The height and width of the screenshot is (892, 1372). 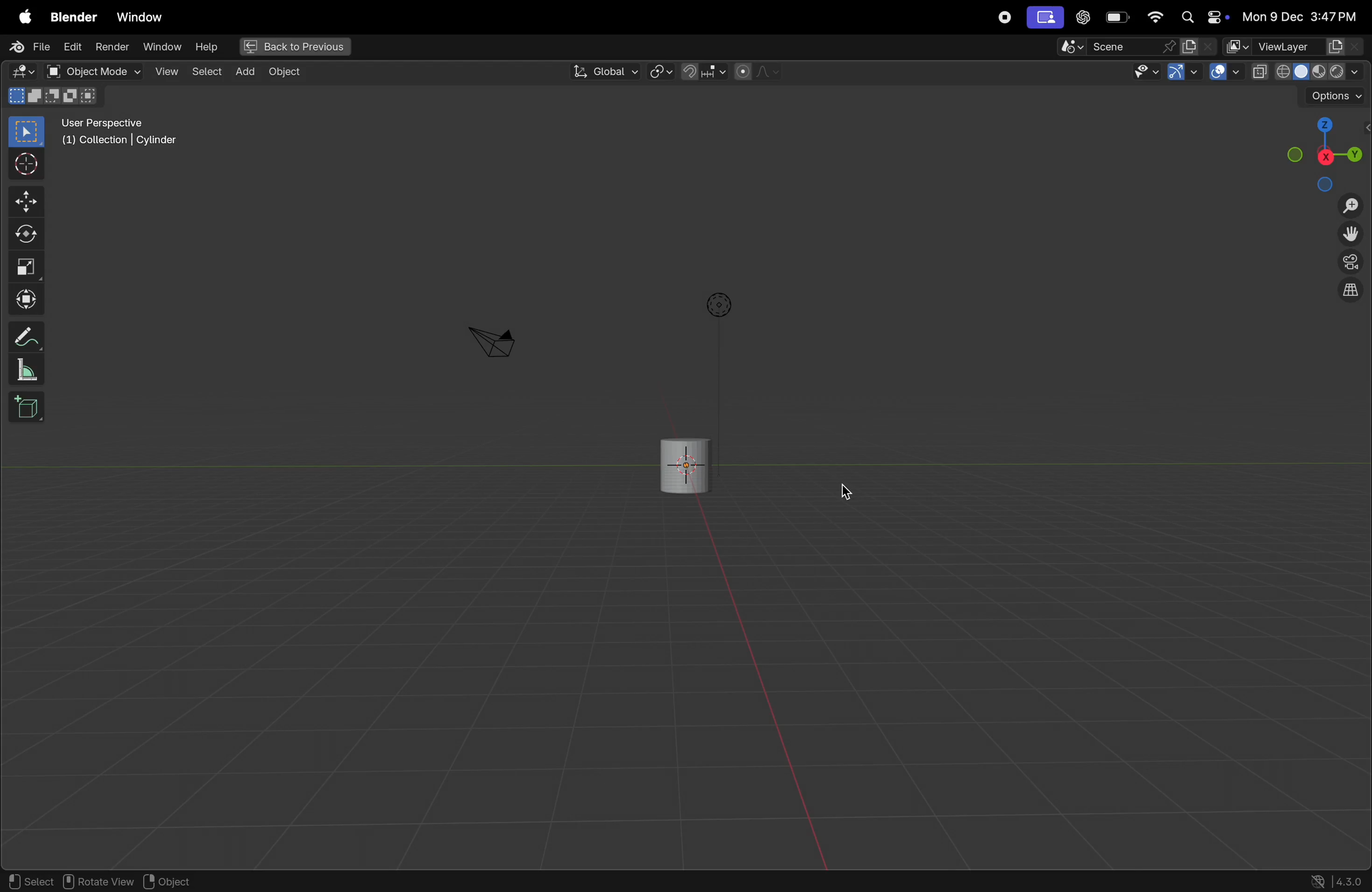 What do you see at coordinates (1351, 264) in the screenshot?
I see `perspective` at bounding box center [1351, 264].